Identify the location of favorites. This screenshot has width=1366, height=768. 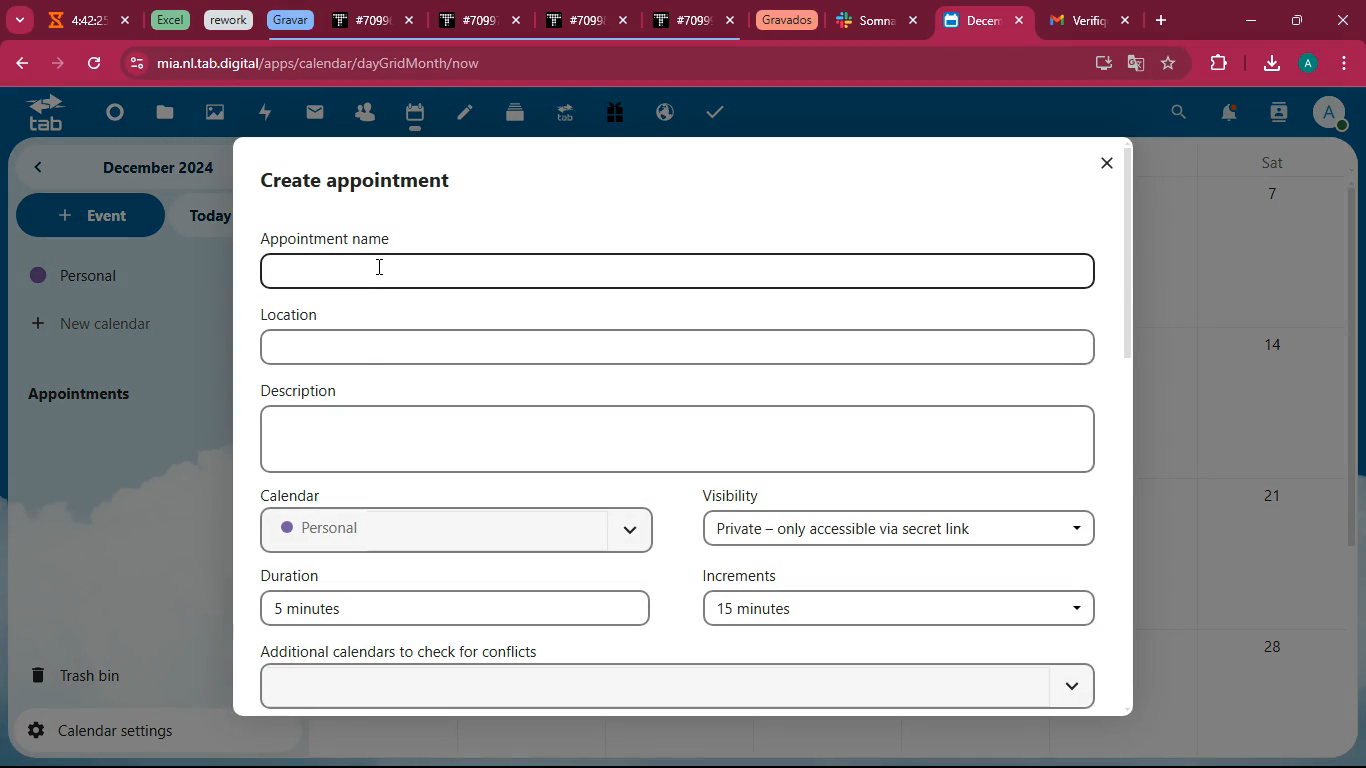
(1170, 63).